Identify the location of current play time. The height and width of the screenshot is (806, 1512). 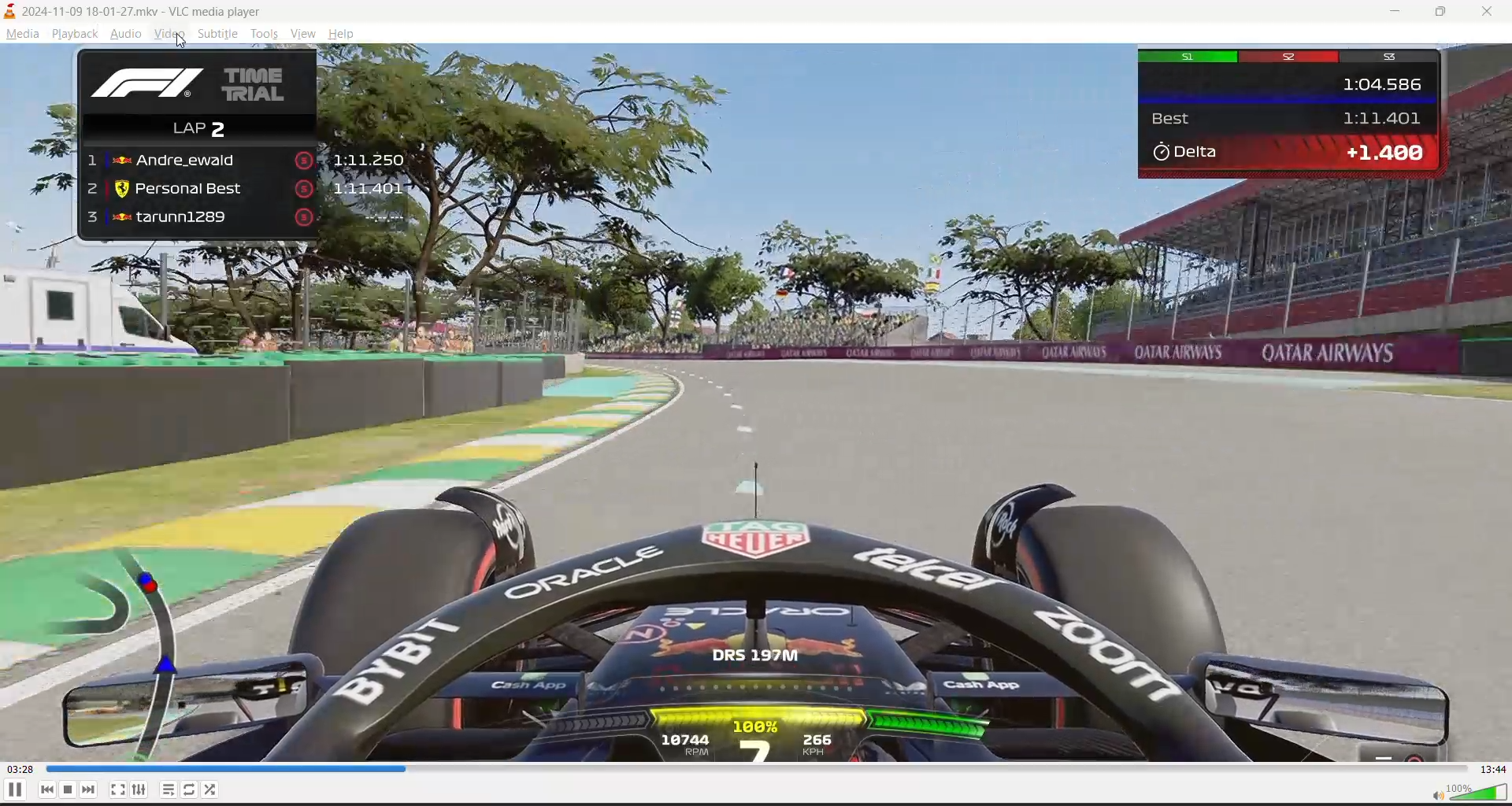
(38, 771).